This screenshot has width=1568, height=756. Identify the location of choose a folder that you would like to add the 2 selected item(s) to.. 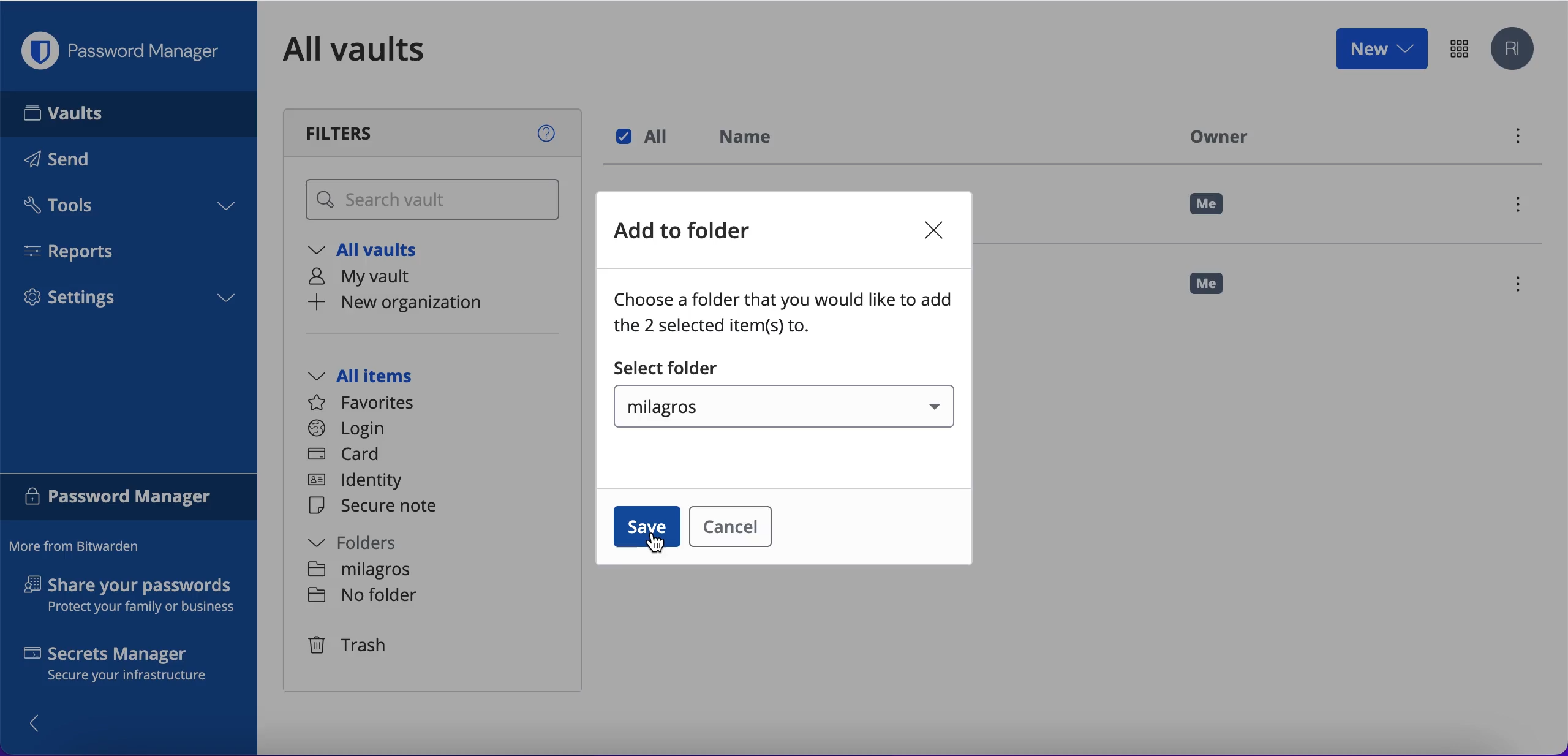
(787, 316).